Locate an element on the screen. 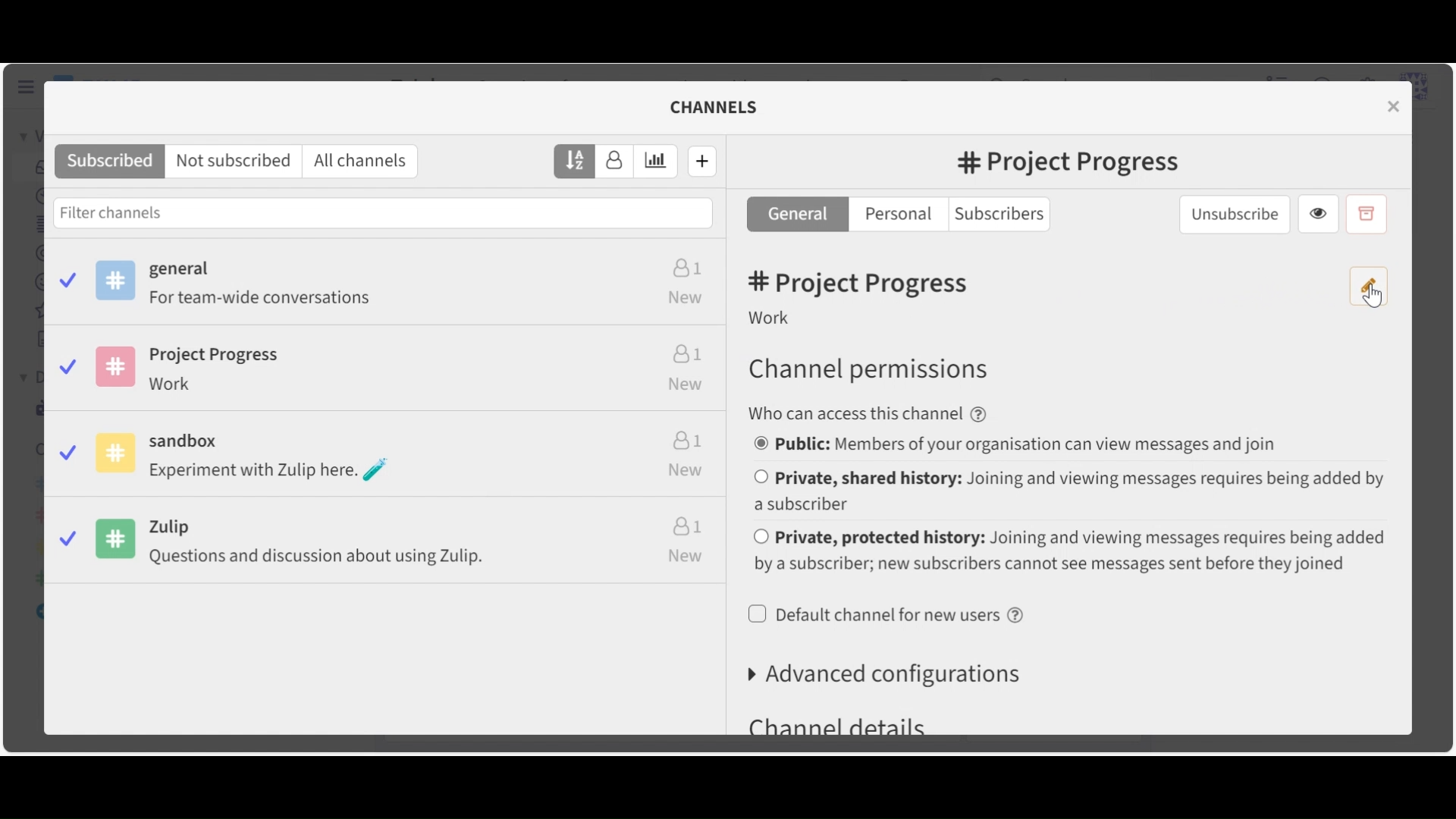  general is located at coordinates (388, 285).